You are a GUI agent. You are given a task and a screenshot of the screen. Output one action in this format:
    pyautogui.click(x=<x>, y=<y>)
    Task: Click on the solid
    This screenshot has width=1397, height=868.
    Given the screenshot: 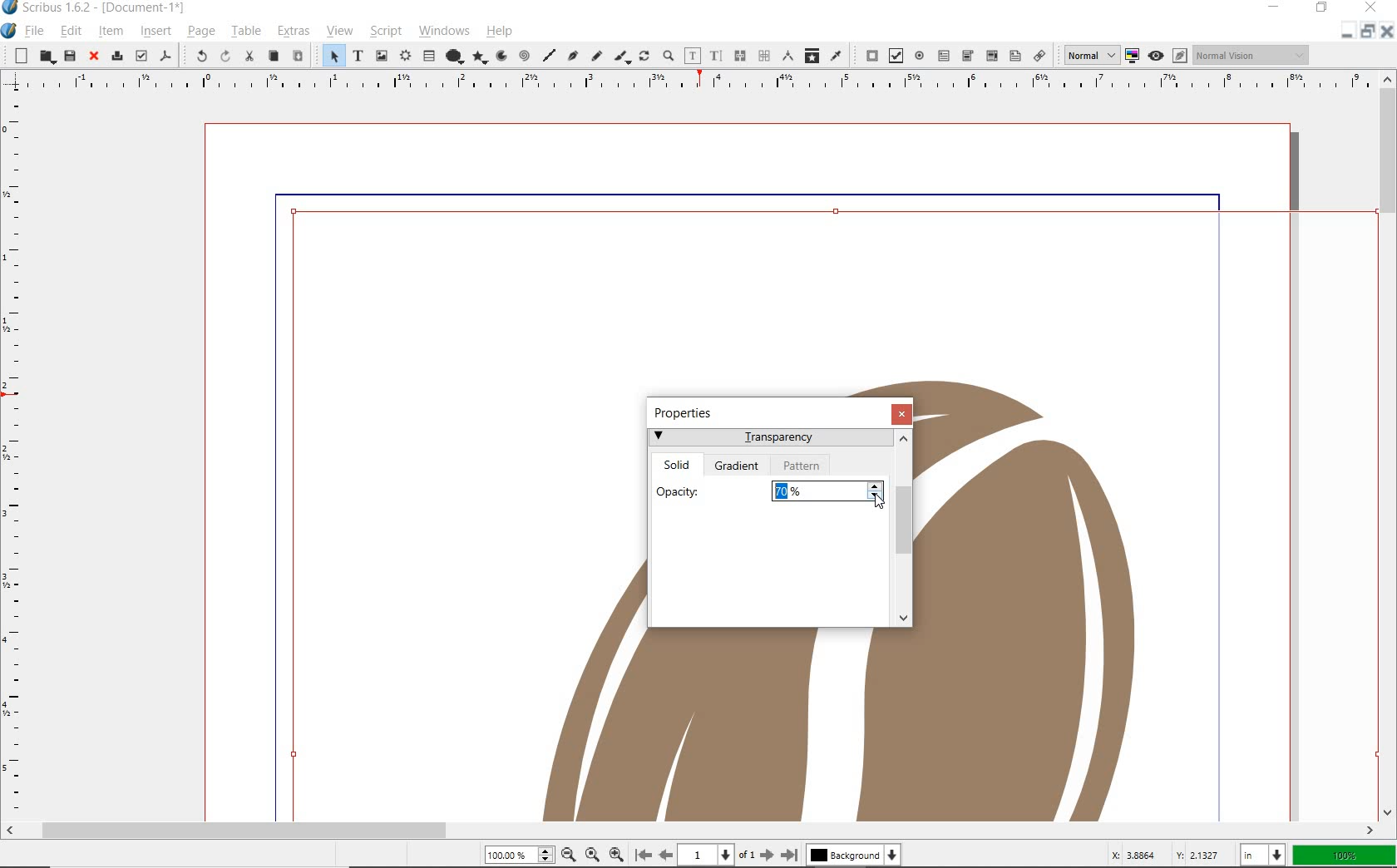 What is the action you would take?
    pyautogui.click(x=679, y=462)
    